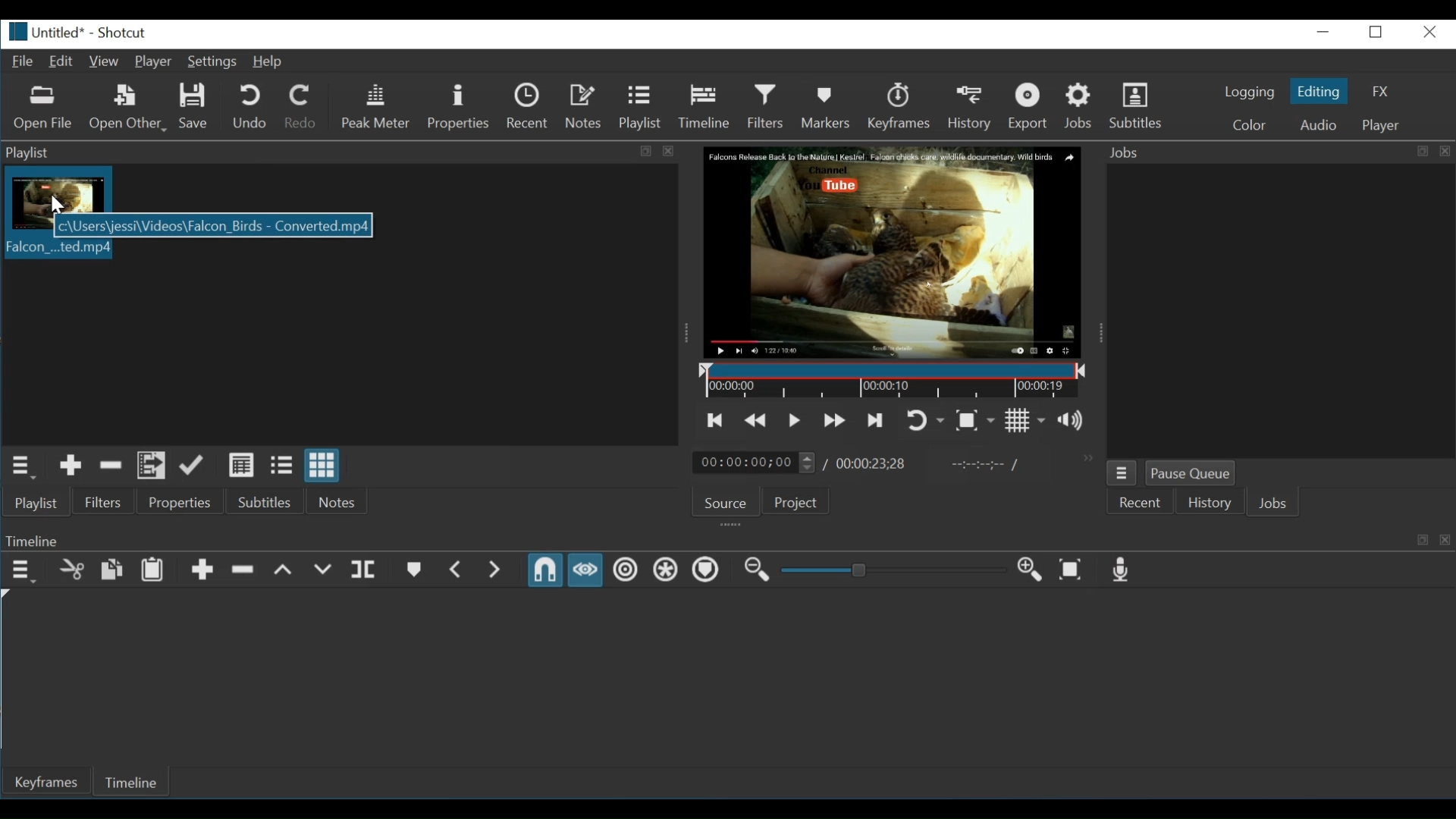 The height and width of the screenshot is (819, 1456). Describe the element at coordinates (184, 502) in the screenshot. I see `Properties` at that location.